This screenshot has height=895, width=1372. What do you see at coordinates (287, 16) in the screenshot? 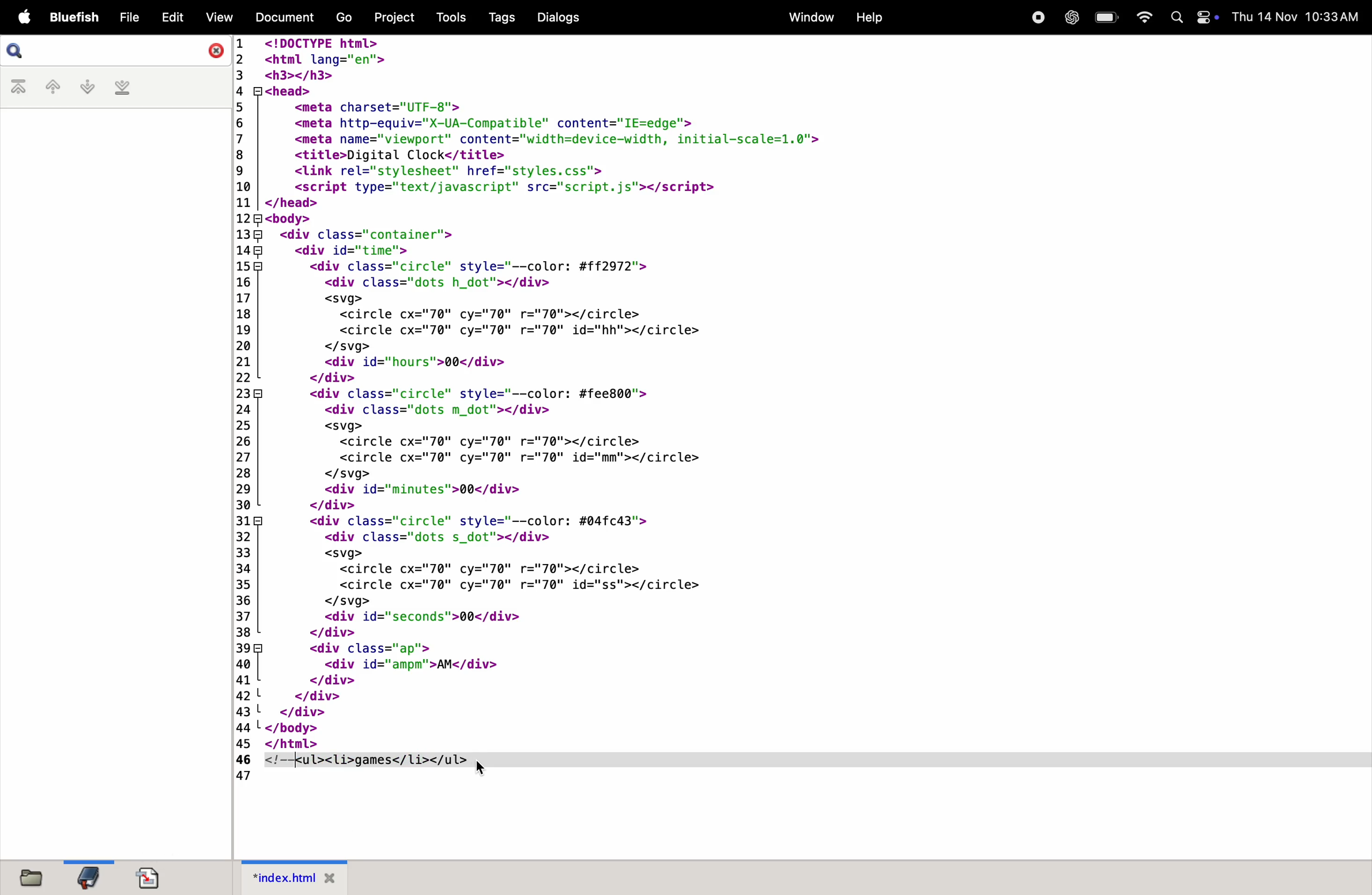
I see `Document` at bounding box center [287, 16].